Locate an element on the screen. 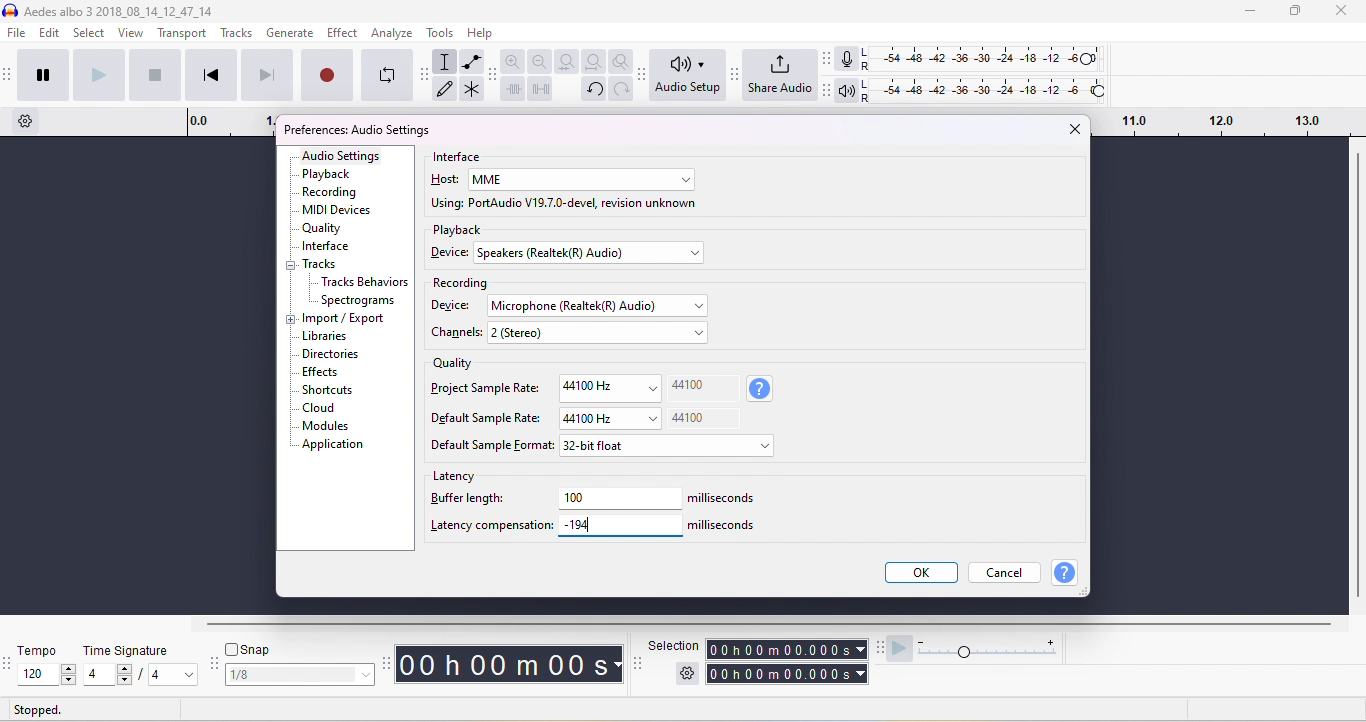  skip to end is located at coordinates (266, 74).